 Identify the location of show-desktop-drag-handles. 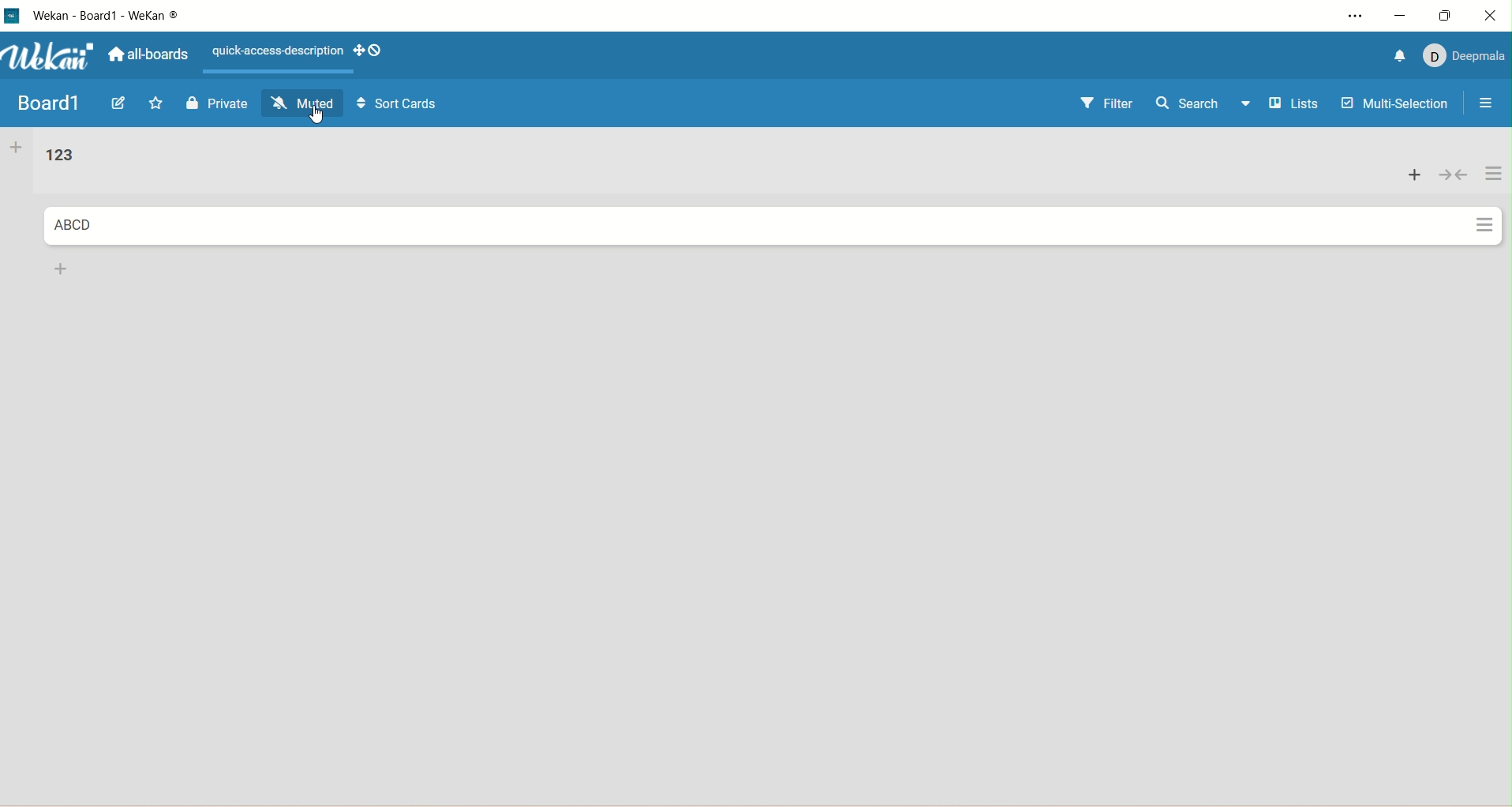
(367, 52).